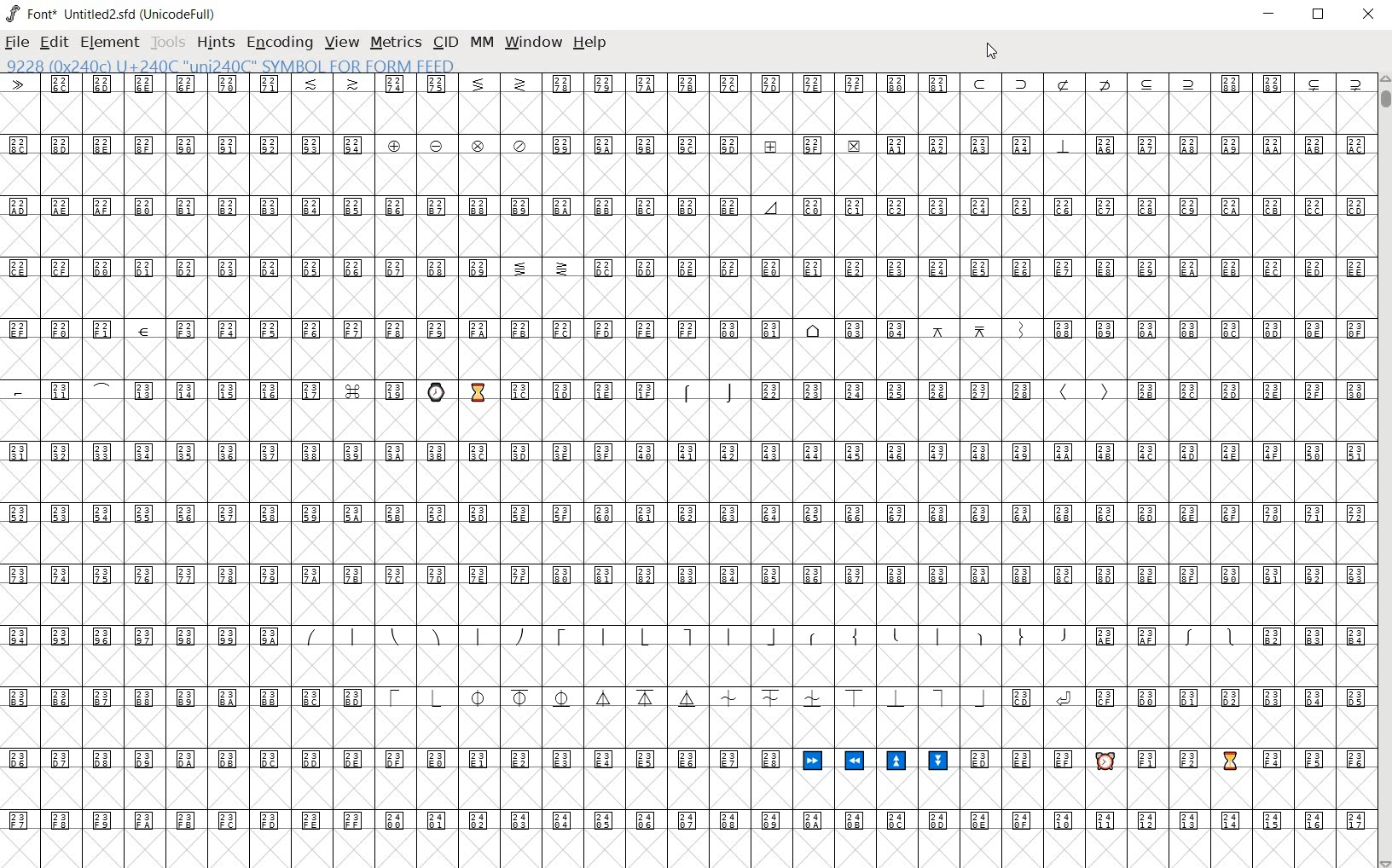  Describe the element at coordinates (590, 43) in the screenshot. I see `help` at that location.